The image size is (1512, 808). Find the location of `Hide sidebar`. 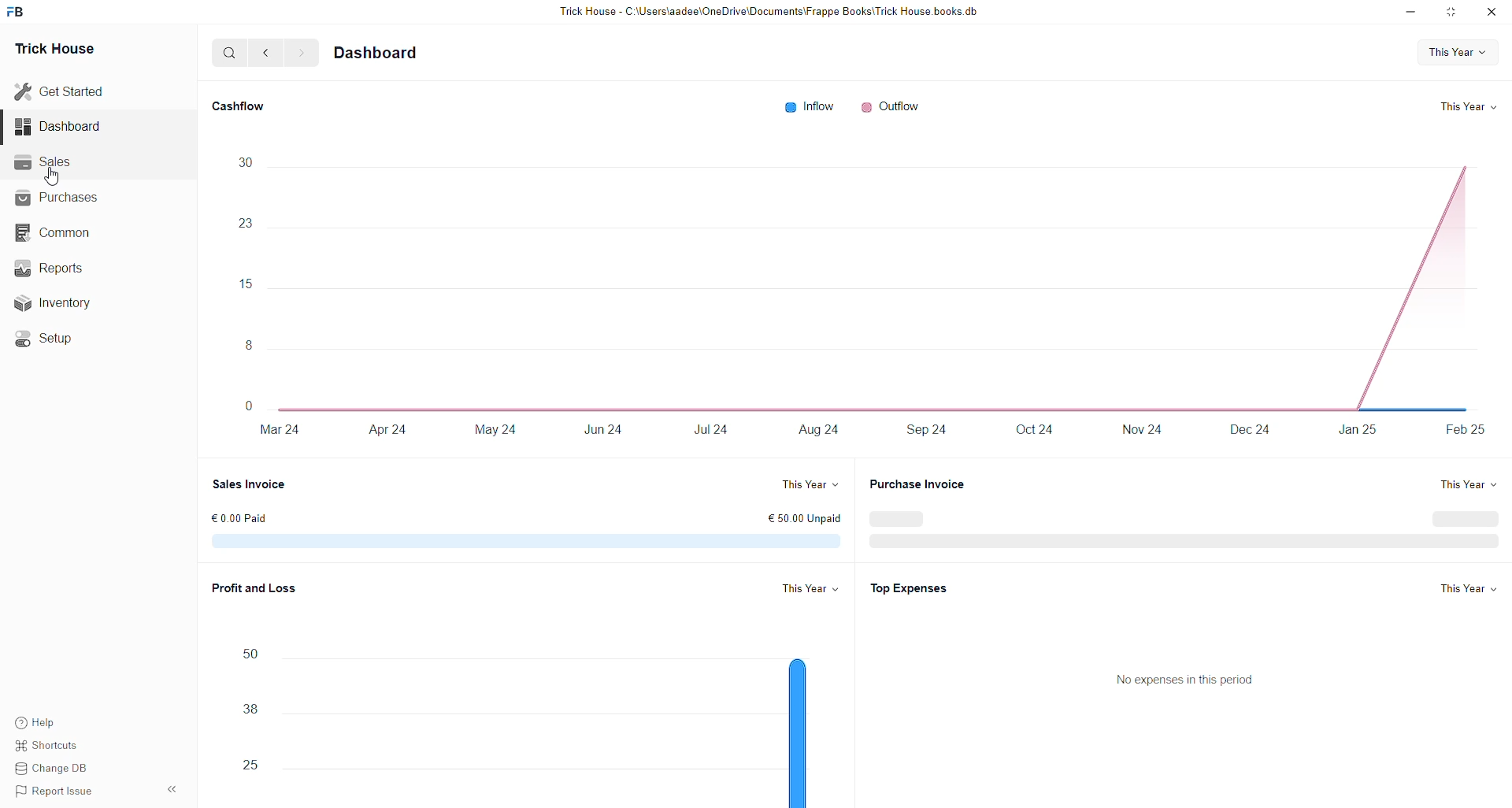

Hide sidebar is located at coordinates (172, 789).